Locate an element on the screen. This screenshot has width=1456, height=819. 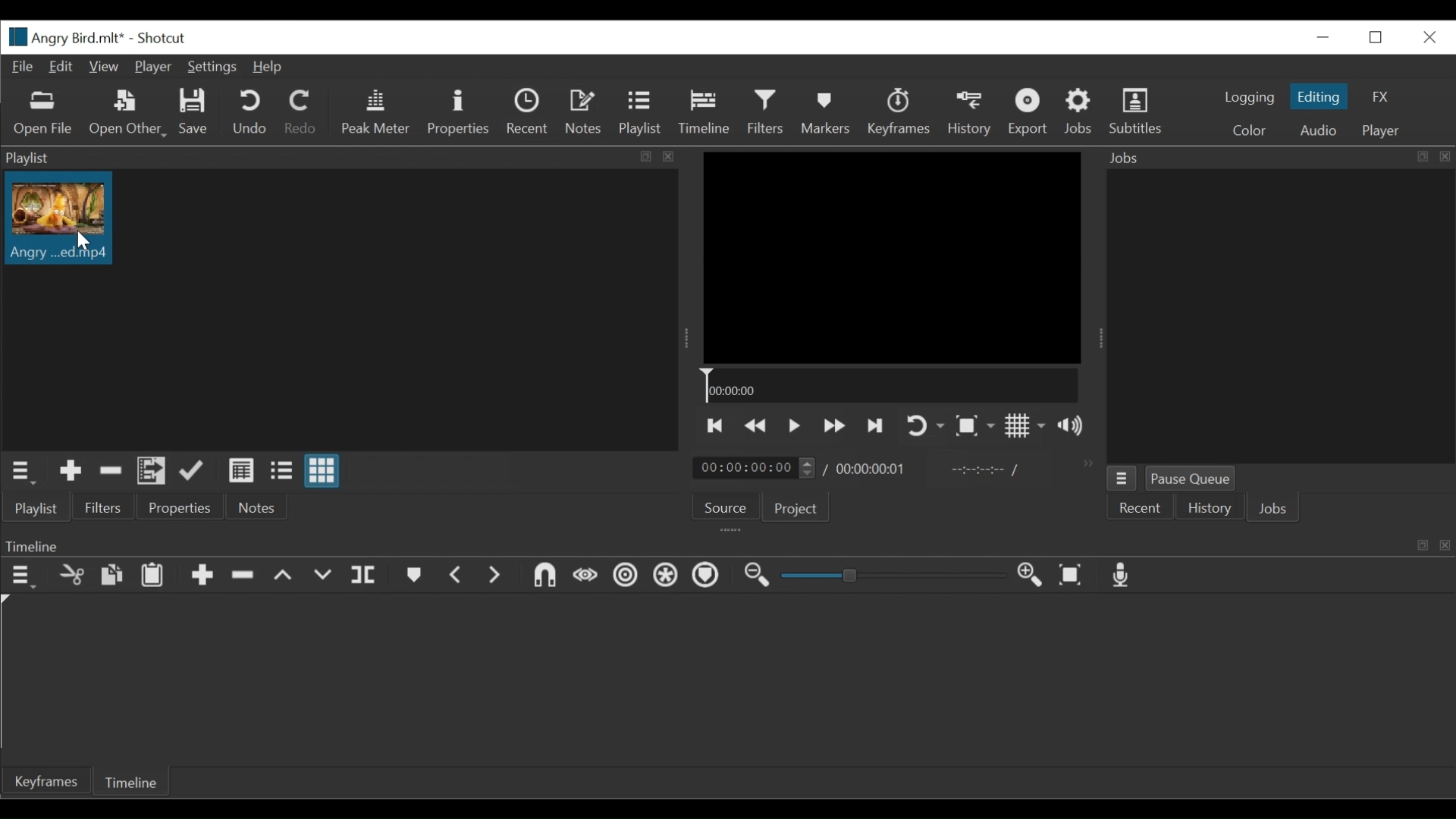
Set Second Simple Keyframe is located at coordinates (620, 578).